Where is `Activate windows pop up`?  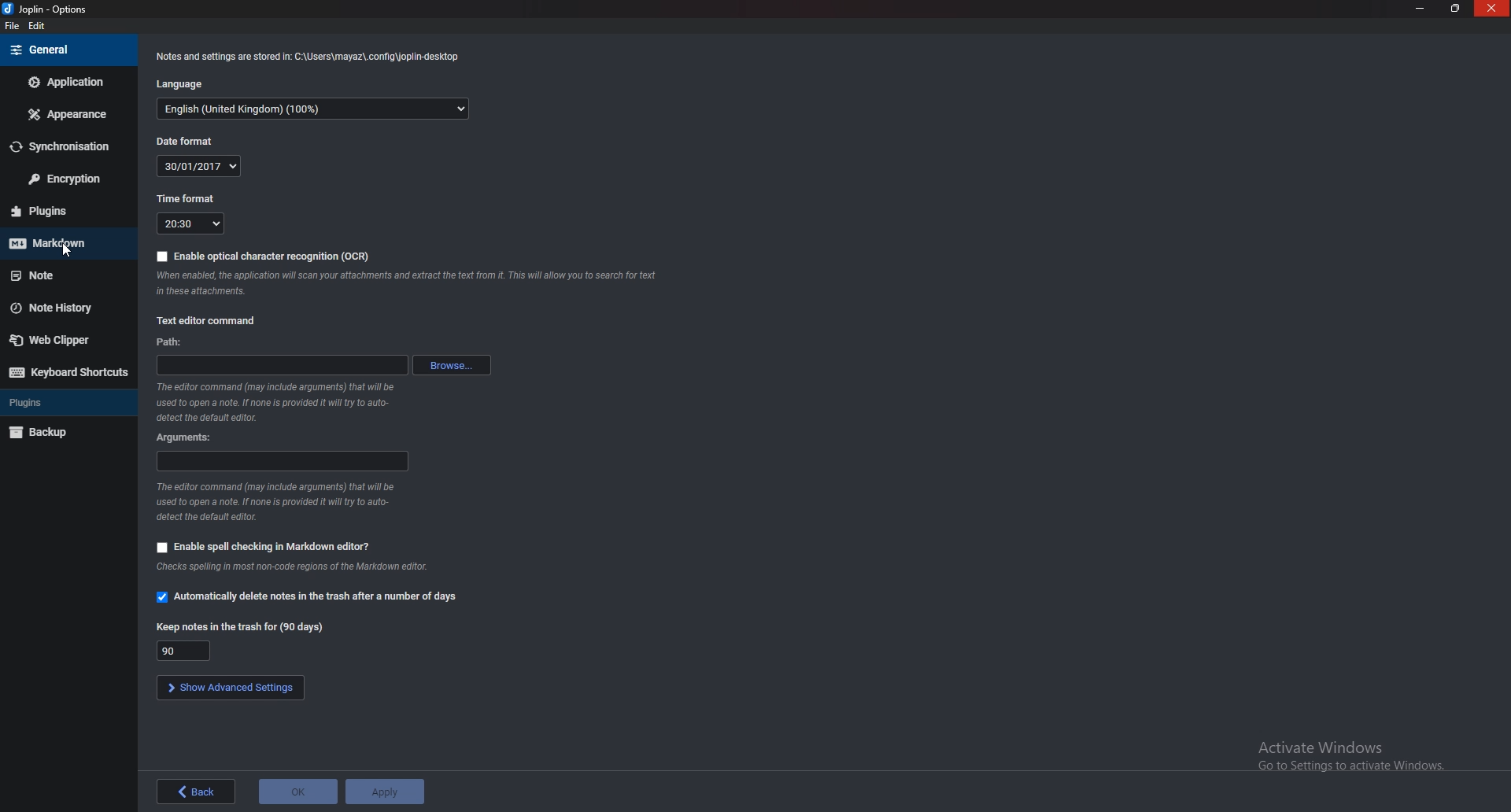
Activate windows pop up is located at coordinates (1354, 756).